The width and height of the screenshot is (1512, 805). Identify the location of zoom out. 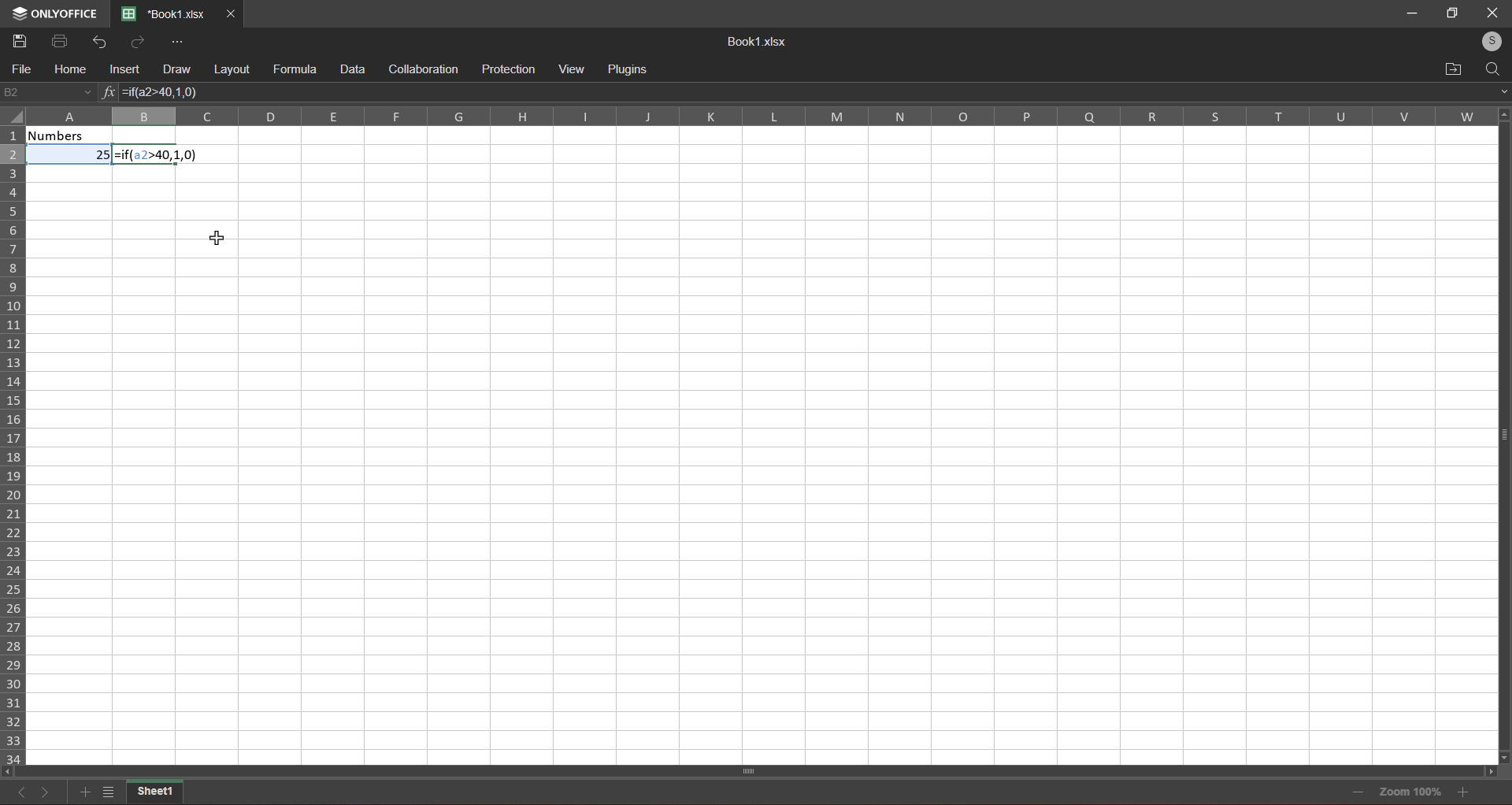
(1357, 791).